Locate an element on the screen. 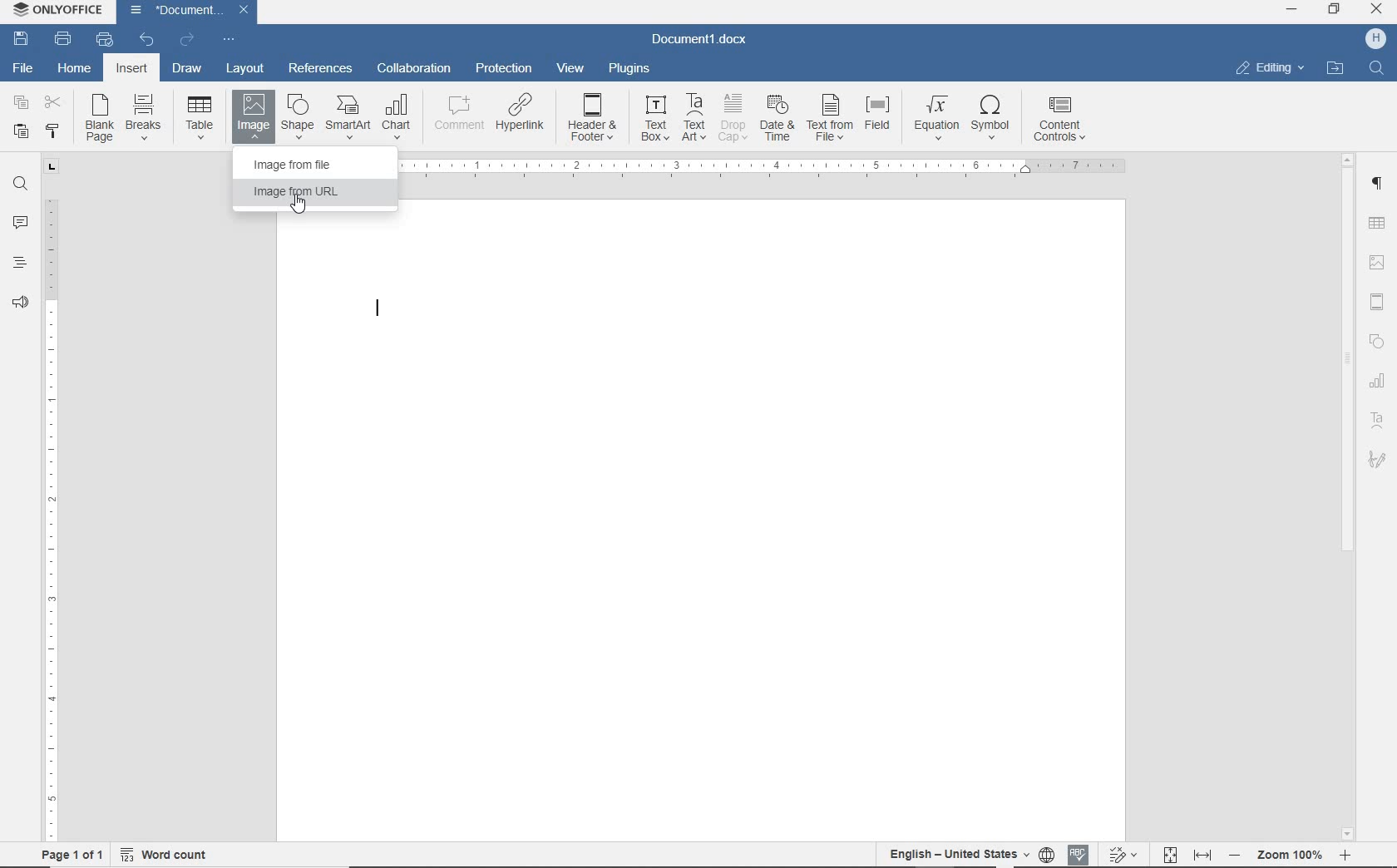  layout is located at coordinates (248, 69).